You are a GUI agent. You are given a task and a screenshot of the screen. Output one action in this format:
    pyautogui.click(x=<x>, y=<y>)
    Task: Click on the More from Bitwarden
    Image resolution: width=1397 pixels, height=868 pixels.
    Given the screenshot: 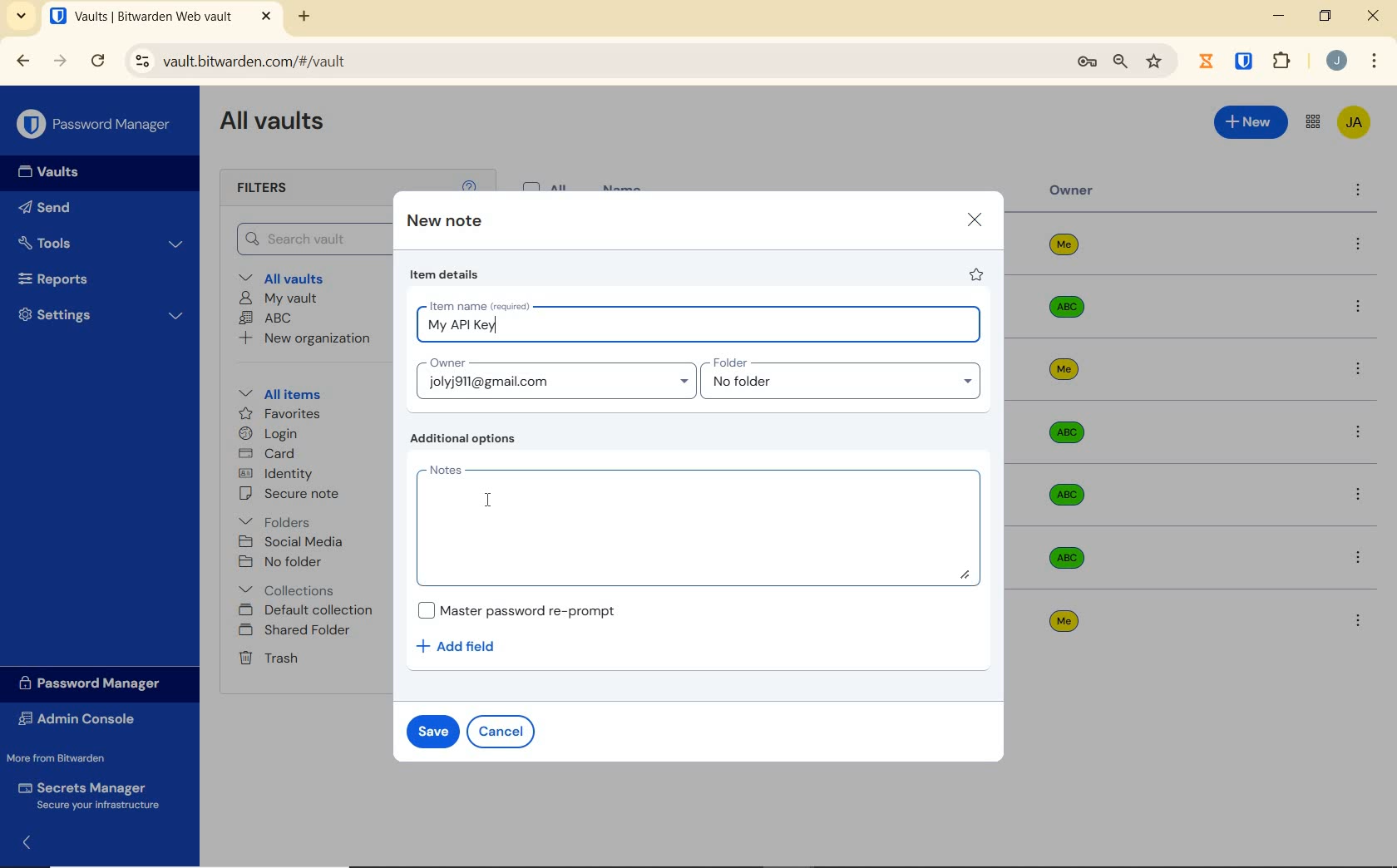 What is the action you would take?
    pyautogui.click(x=73, y=758)
    